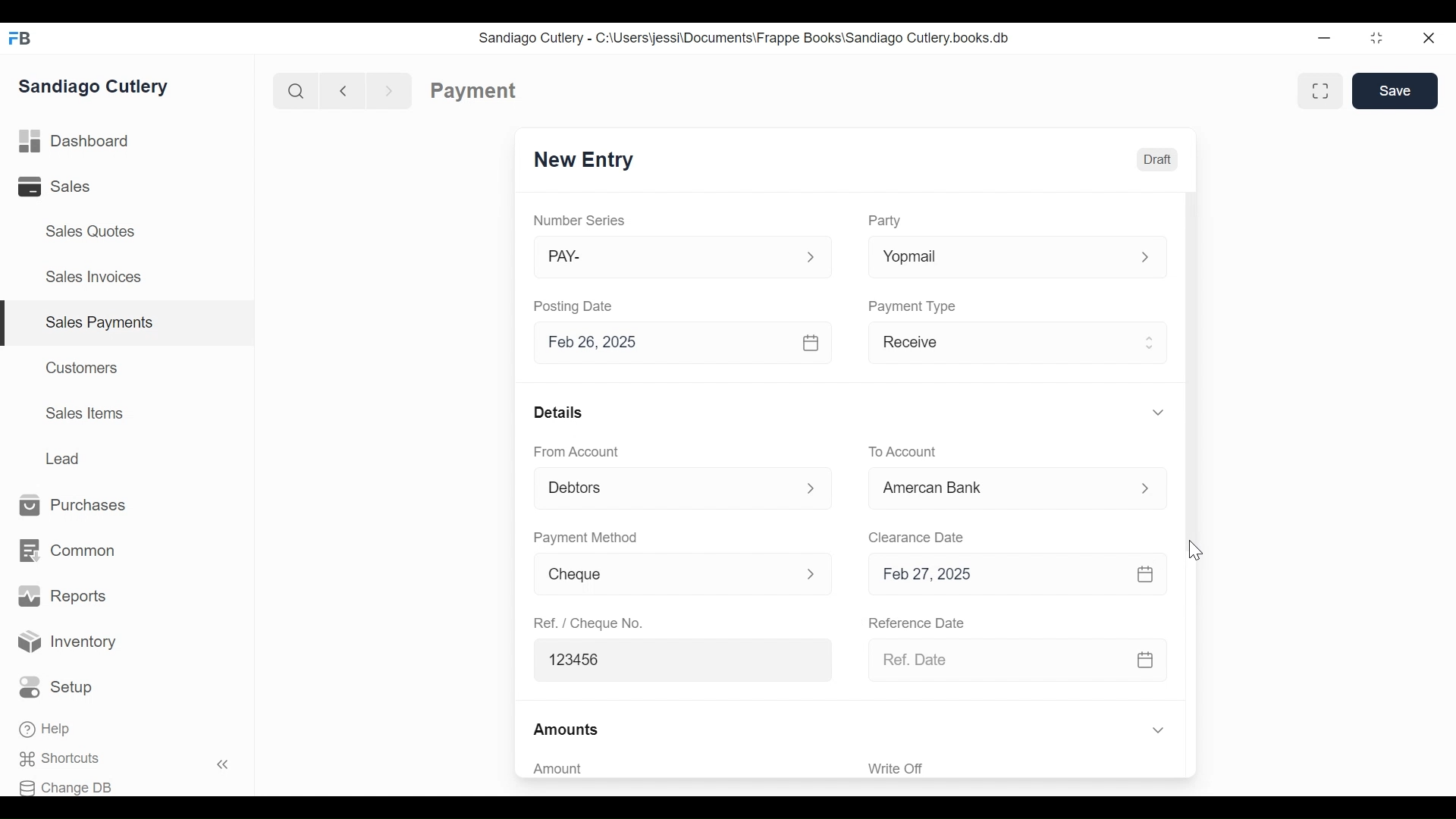  Describe the element at coordinates (1157, 731) in the screenshot. I see `Expand` at that location.